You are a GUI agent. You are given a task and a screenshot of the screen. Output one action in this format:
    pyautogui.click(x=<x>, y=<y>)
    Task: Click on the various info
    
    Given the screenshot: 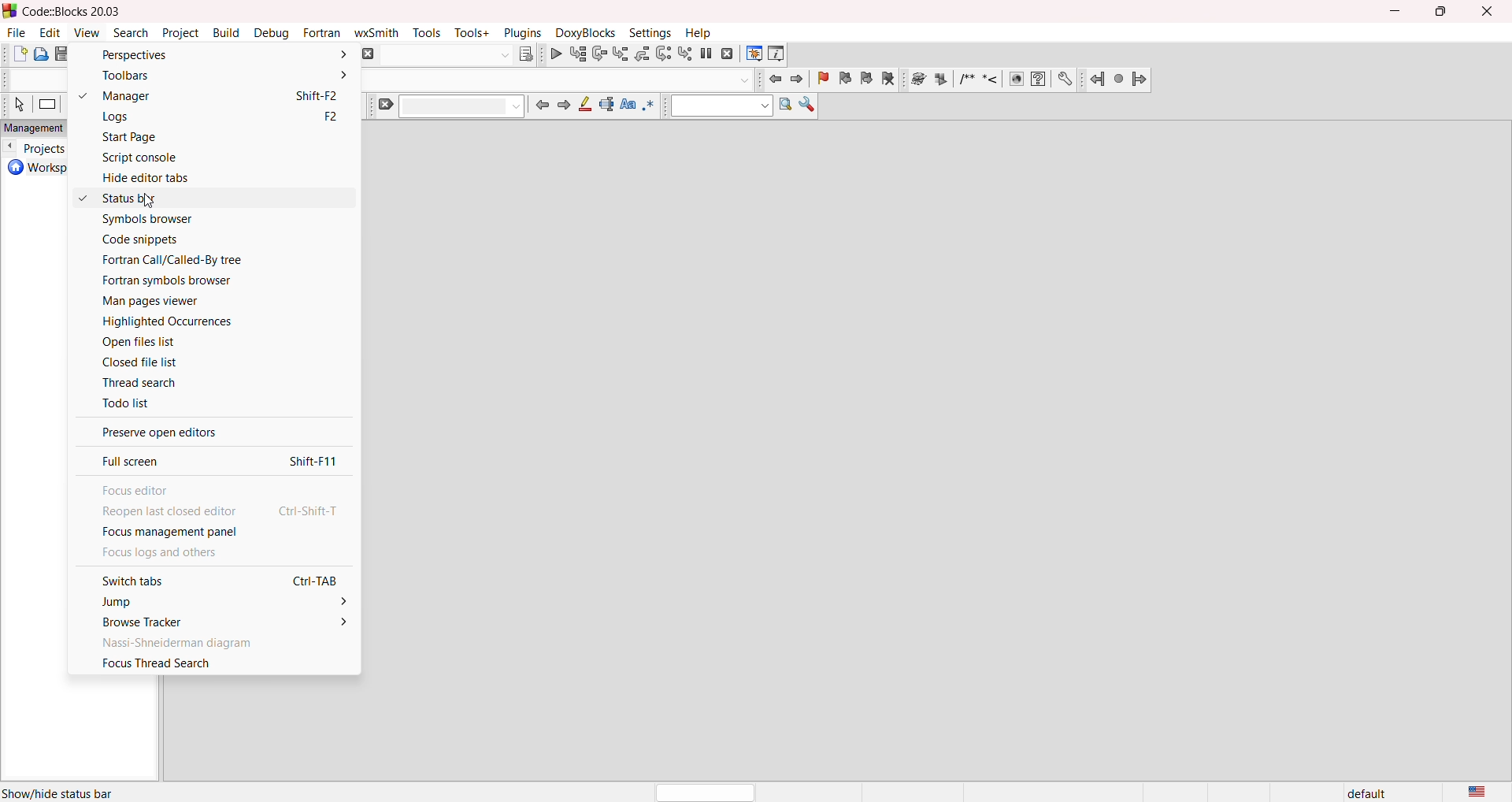 What is the action you would take?
    pyautogui.click(x=776, y=54)
    